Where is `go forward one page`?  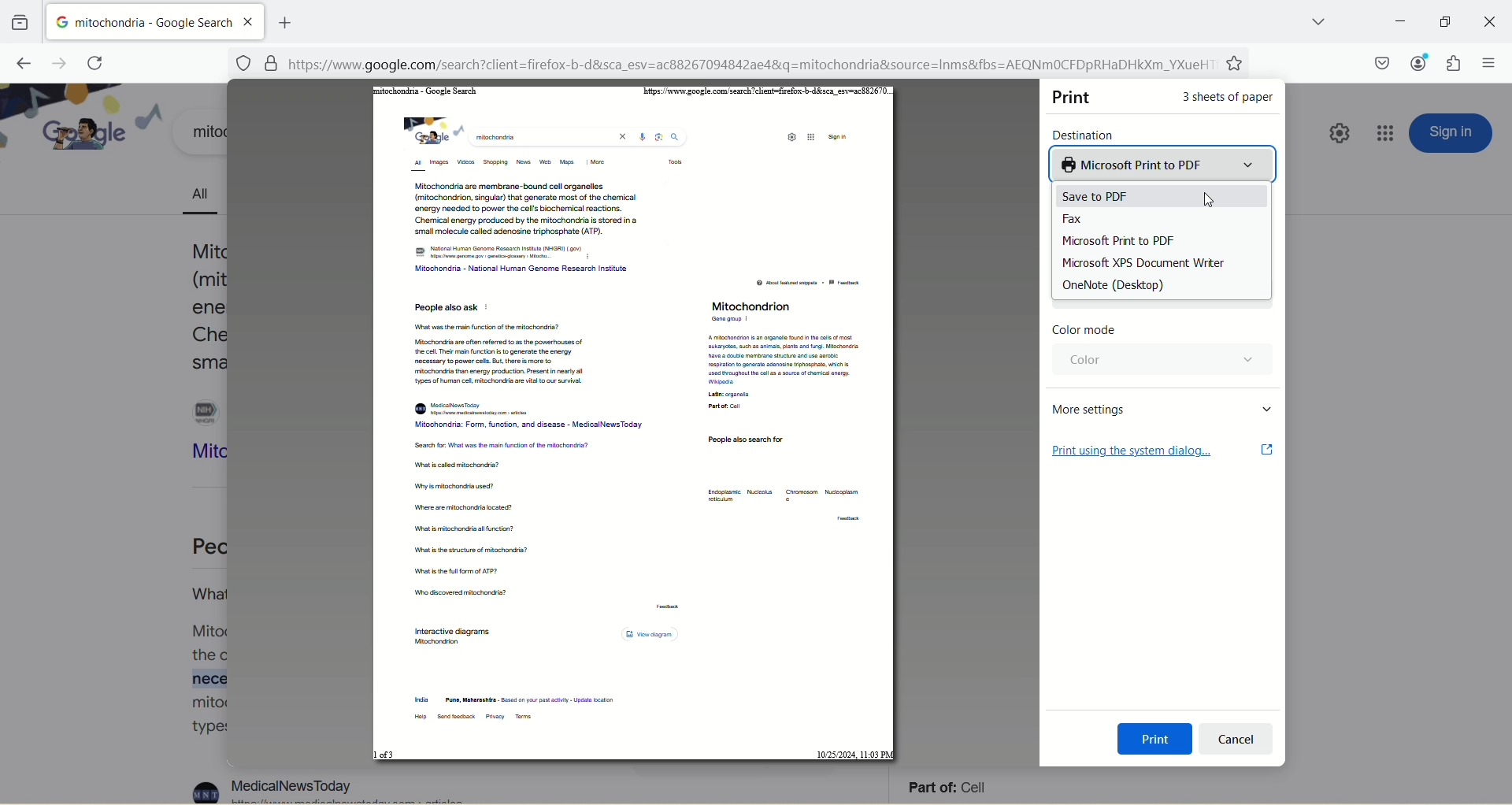 go forward one page is located at coordinates (55, 62).